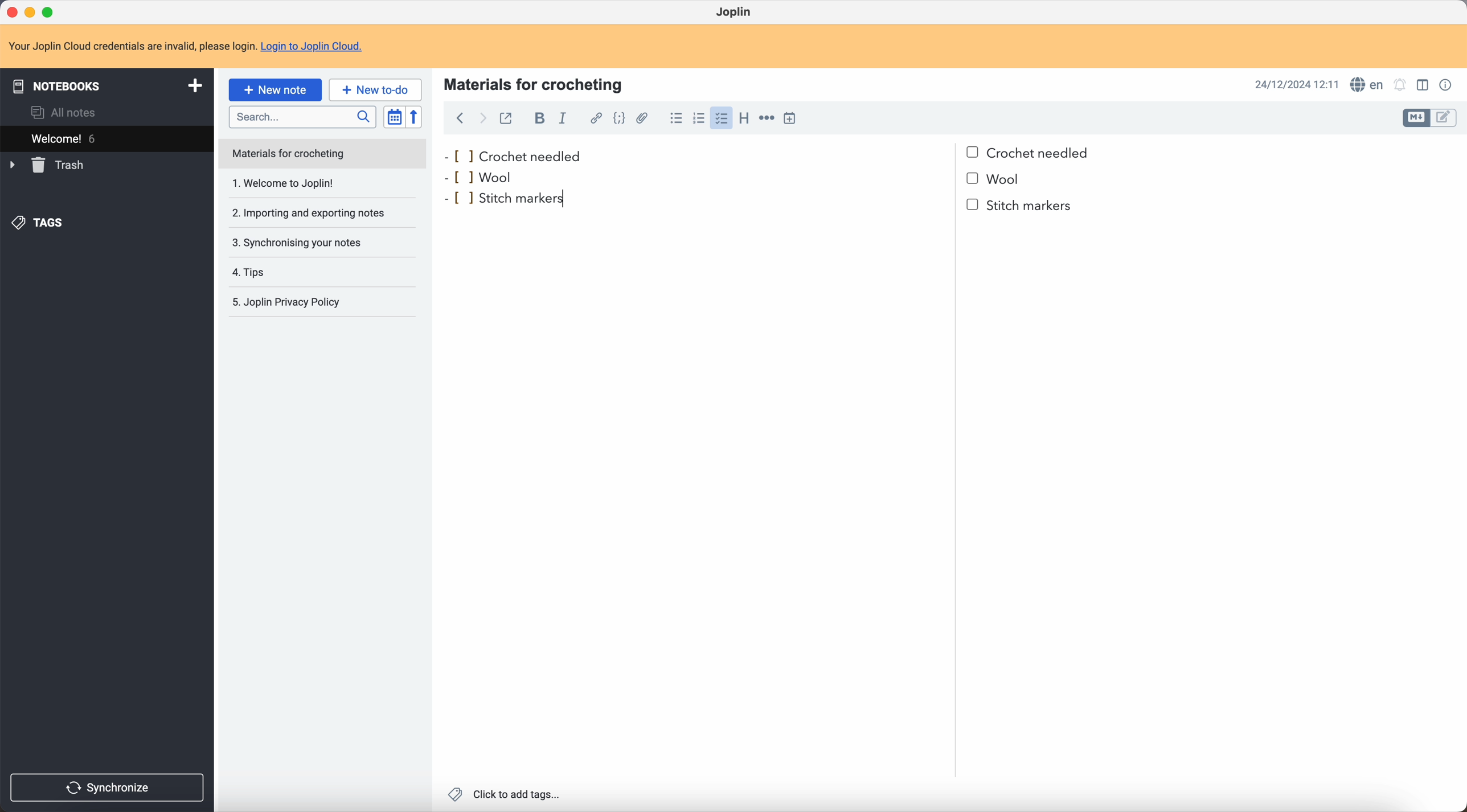 This screenshot has height=812, width=1467. Describe the element at coordinates (535, 83) in the screenshot. I see `materials for crocheting` at that location.